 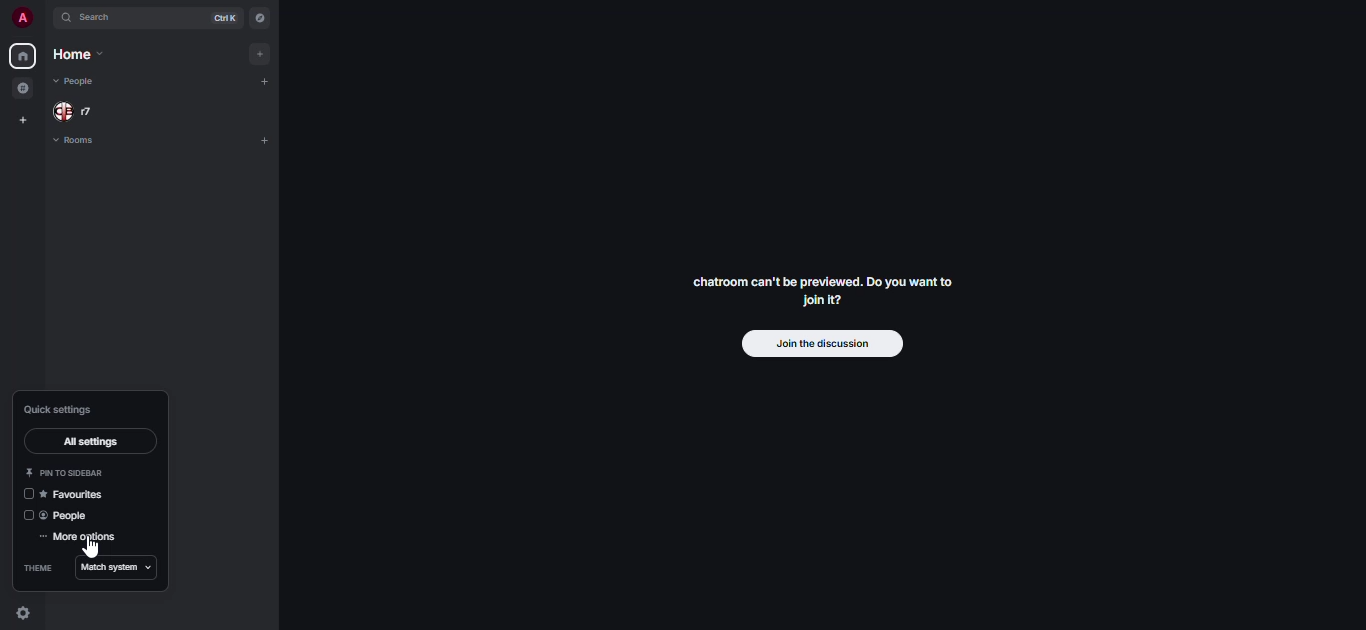 I want to click on create space, so click(x=22, y=121).